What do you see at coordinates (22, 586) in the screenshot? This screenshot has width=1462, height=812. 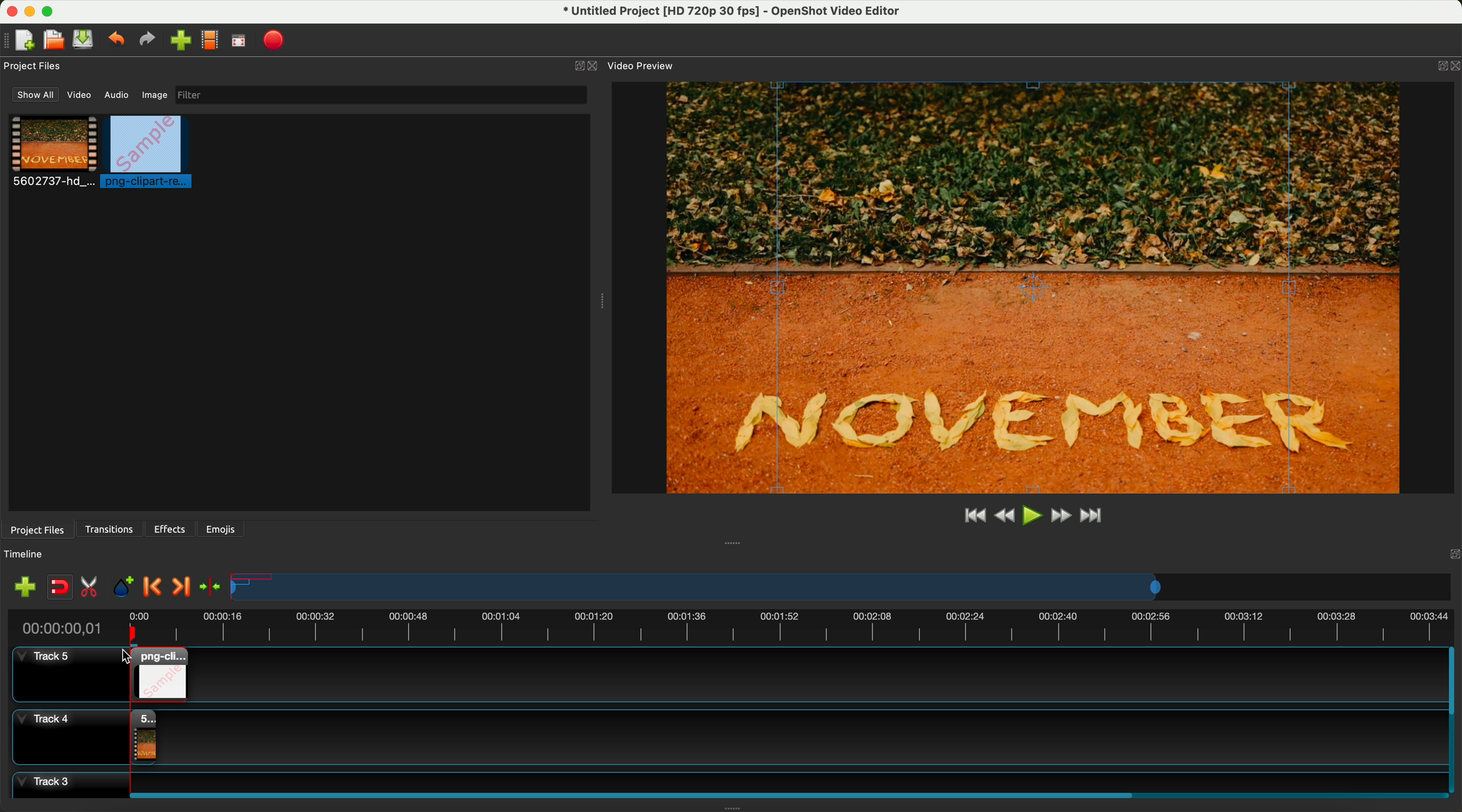 I see `import files` at bounding box center [22, 586].